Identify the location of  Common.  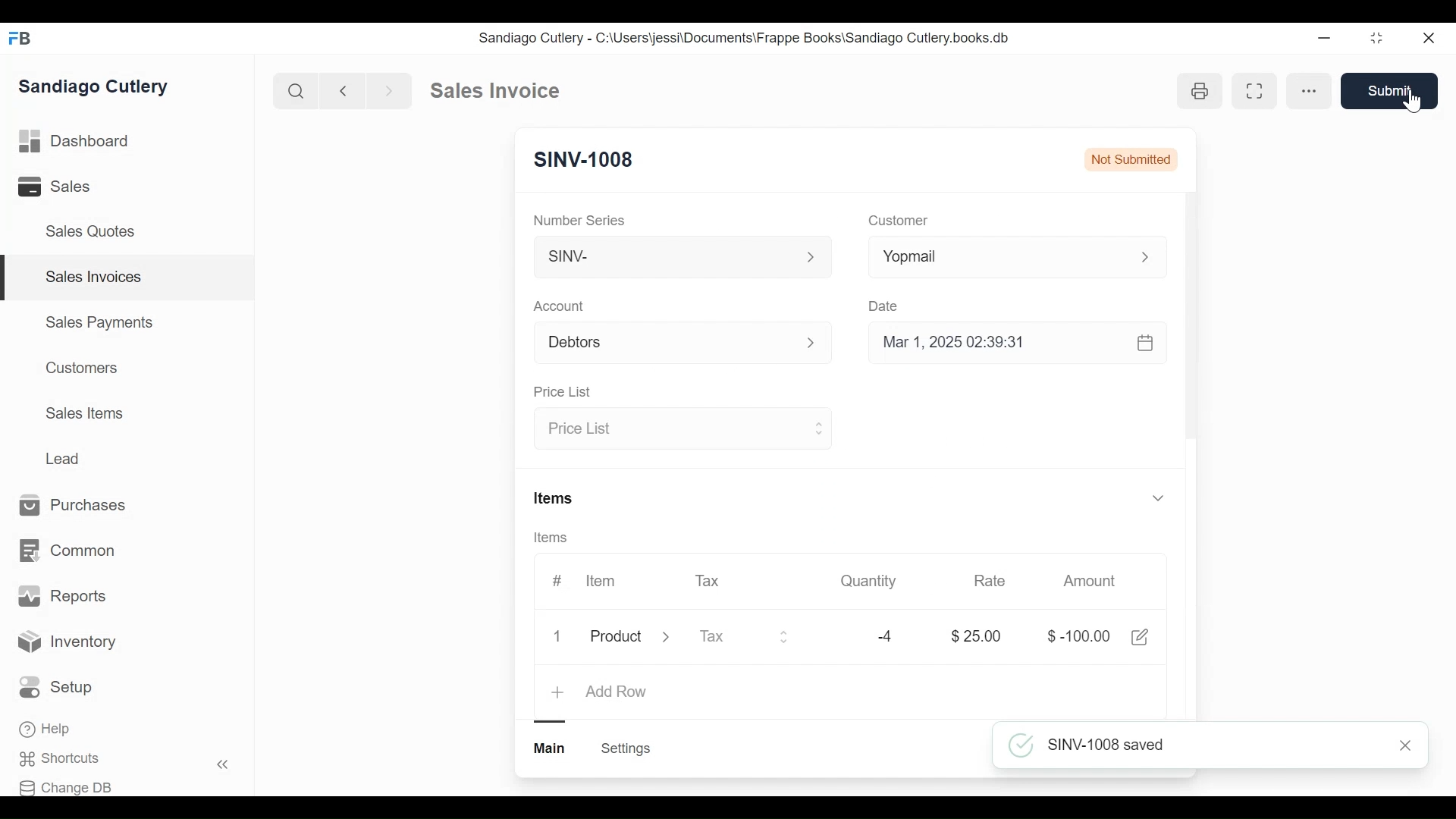
(69, 550).